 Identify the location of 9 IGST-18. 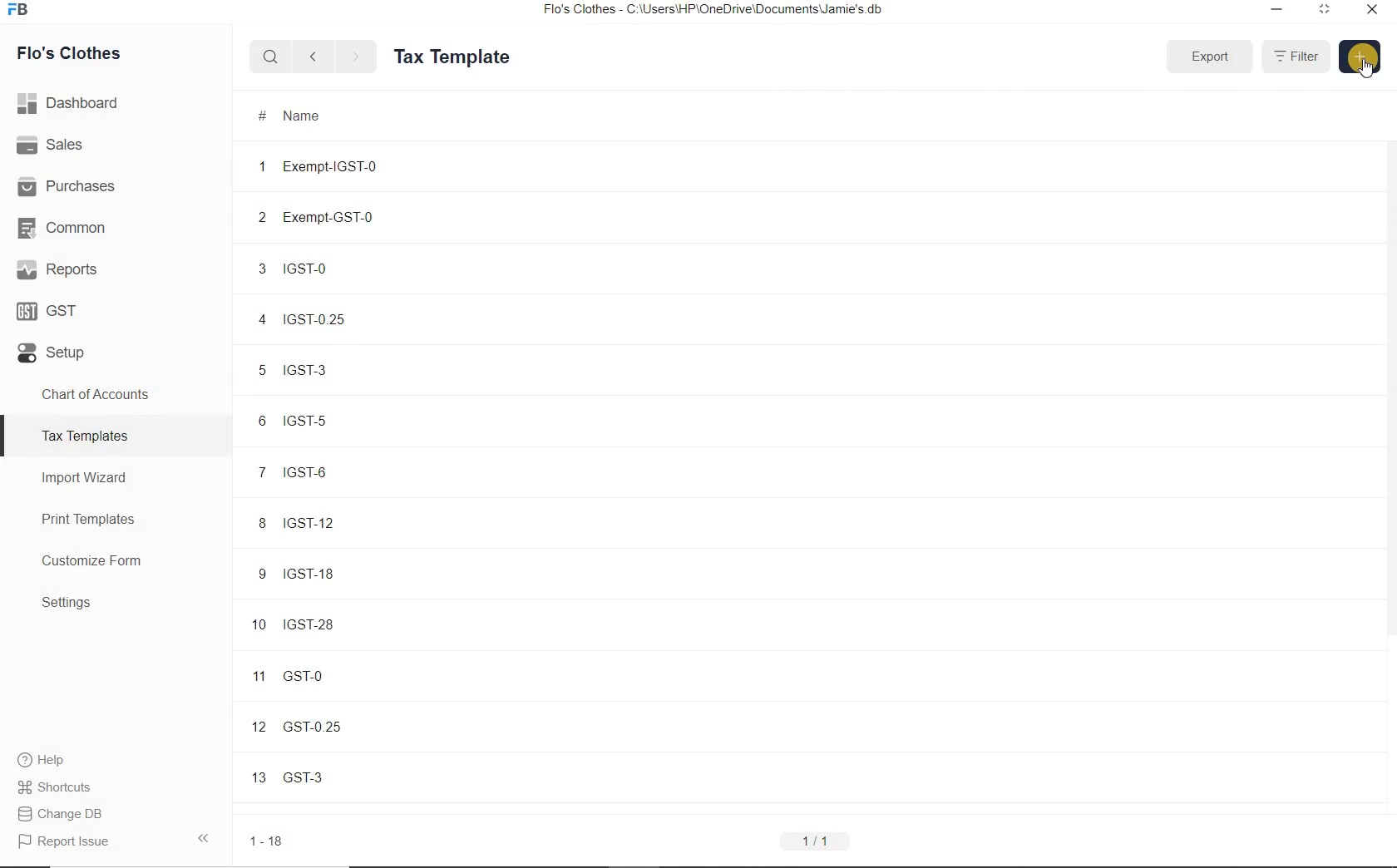
(347, 572).